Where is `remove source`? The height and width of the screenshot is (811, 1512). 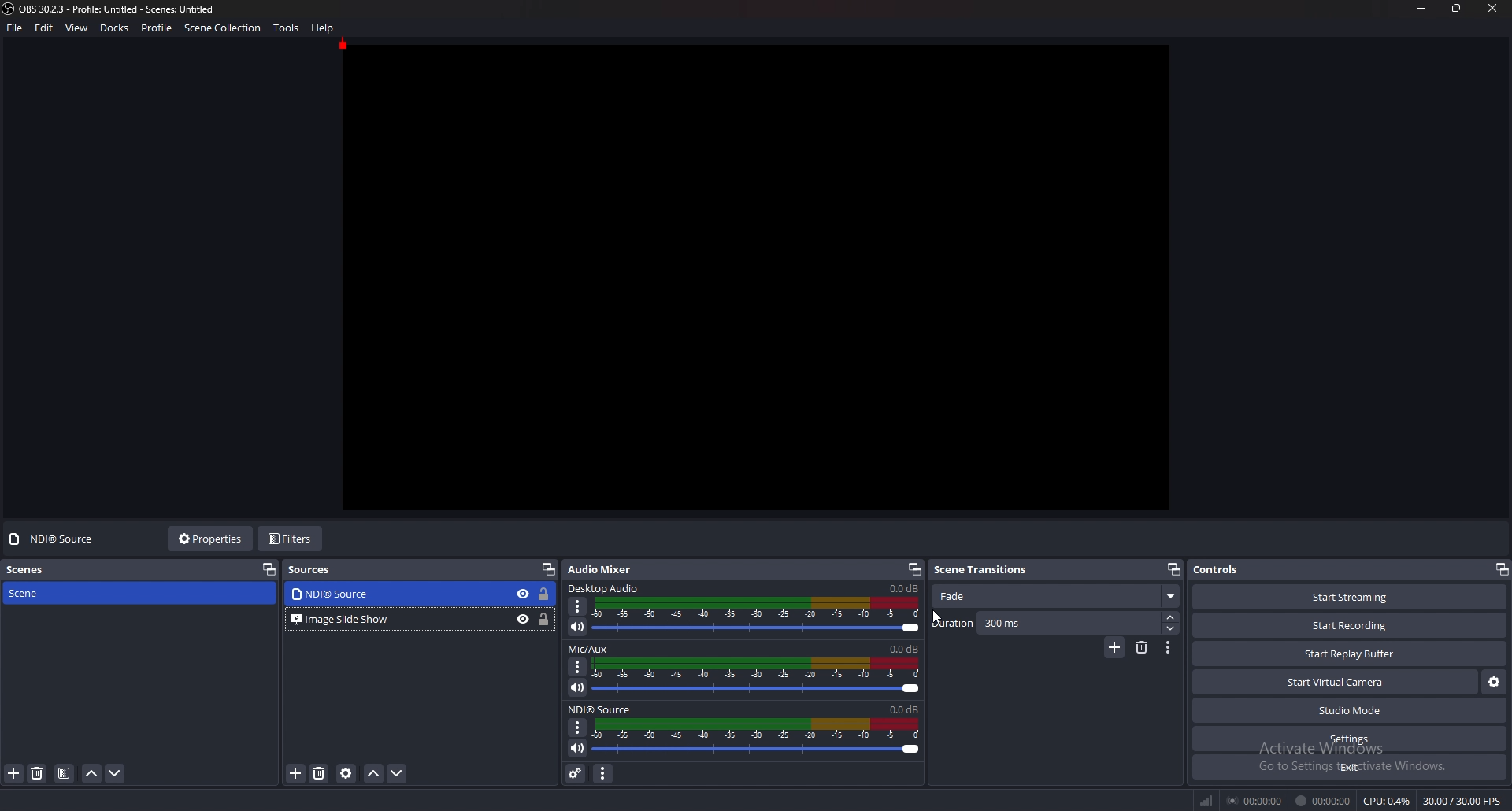 remove source is located at coordinates (38, 773).